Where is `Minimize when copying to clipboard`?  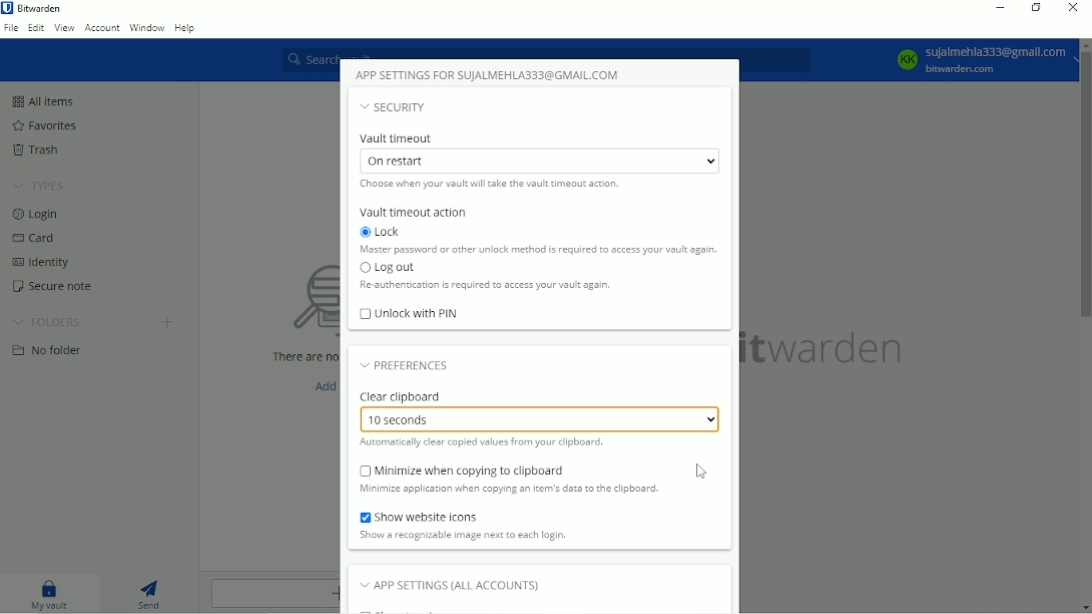
Minimize when copying to clipboard is located at coordinates (462, 471).